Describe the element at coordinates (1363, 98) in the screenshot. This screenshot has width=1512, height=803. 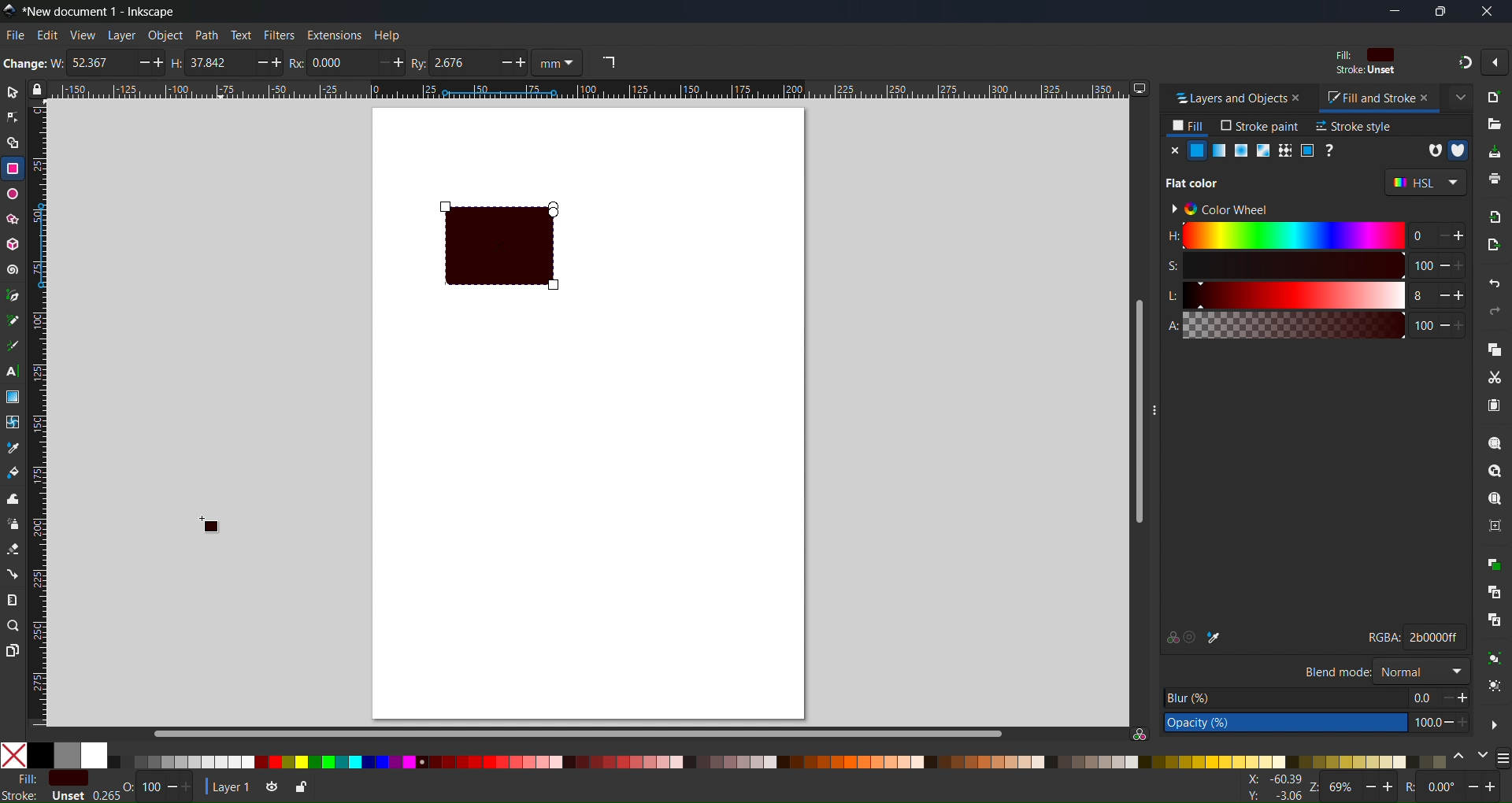
I see `Fill and stroke` at that location.